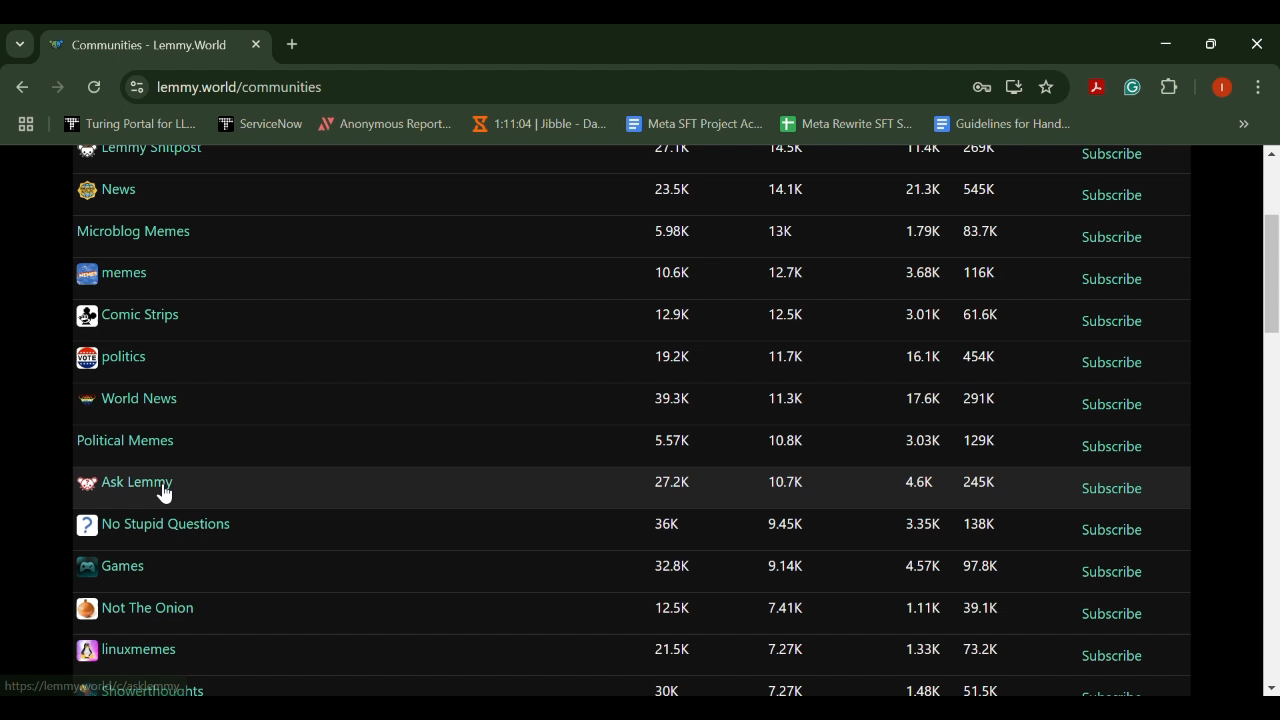 This screenshot has width=1280, height=720. What do you see at coordinates (678, 611) in the screenshot?
I see `12.5K` at bounding box center [678, 611].